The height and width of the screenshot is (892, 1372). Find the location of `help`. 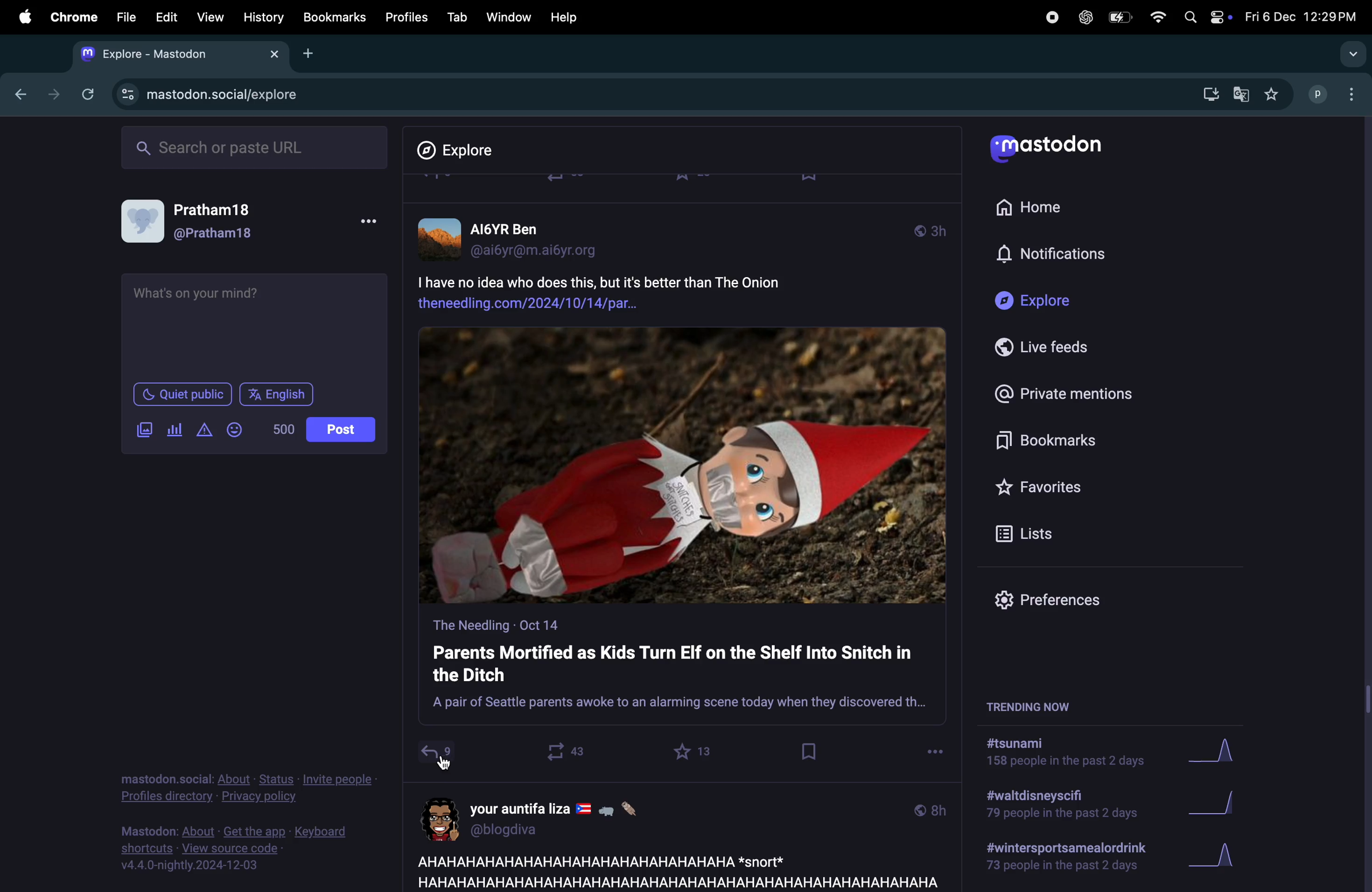

help is located at coordinates (564, 17).